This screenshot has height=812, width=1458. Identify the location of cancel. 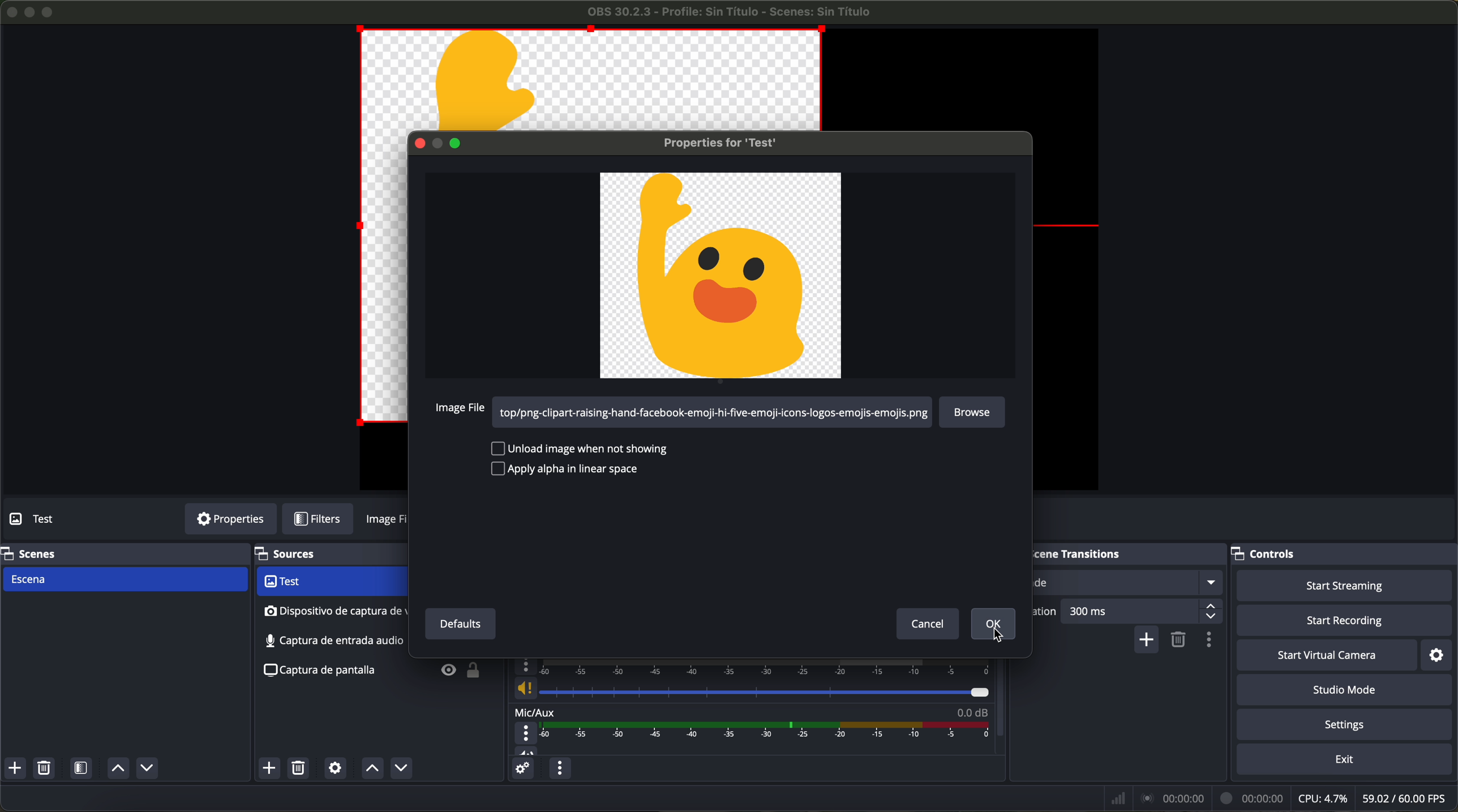
(924, 624).